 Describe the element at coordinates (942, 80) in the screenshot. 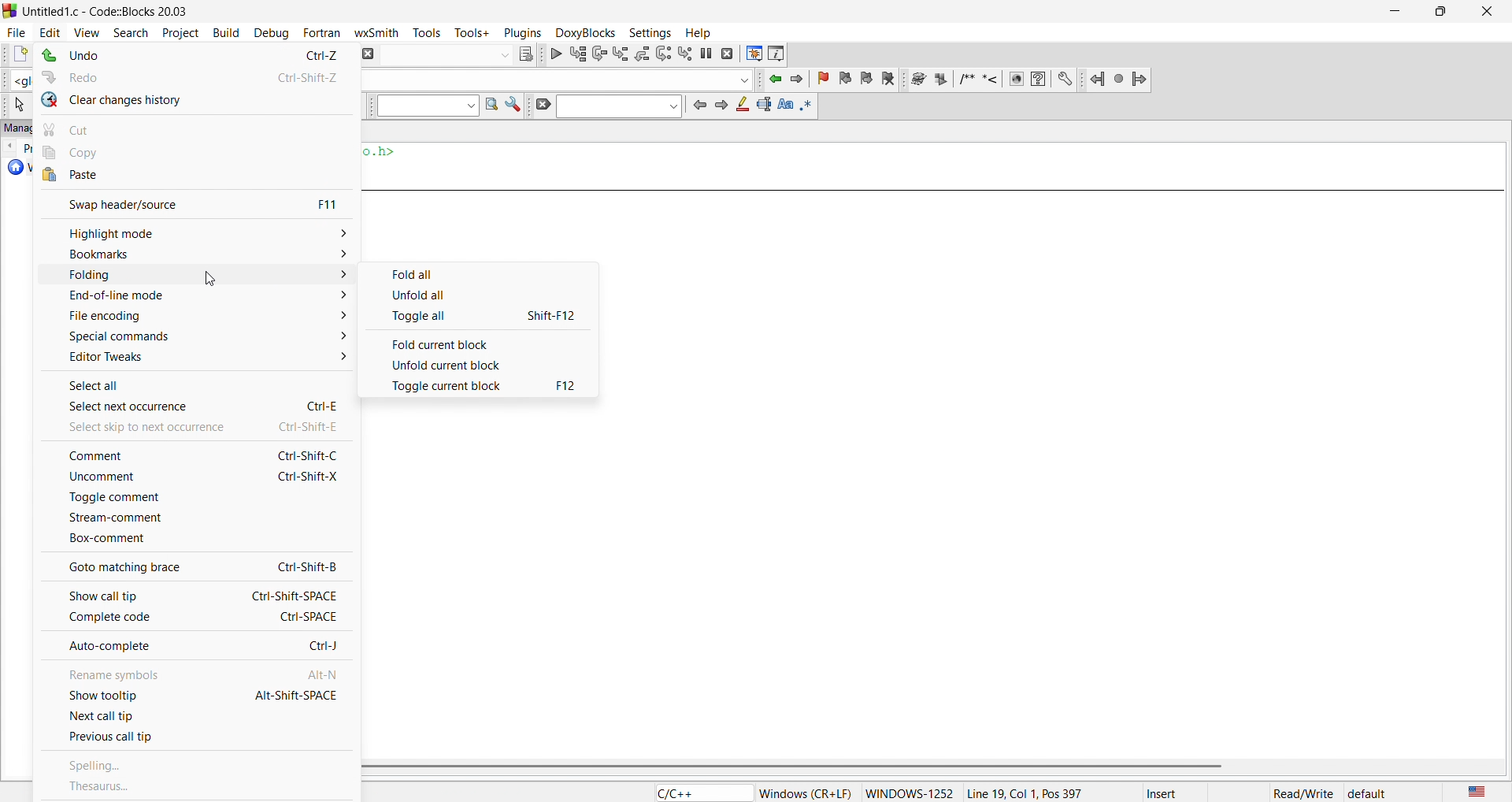

I see `extract` at that location.